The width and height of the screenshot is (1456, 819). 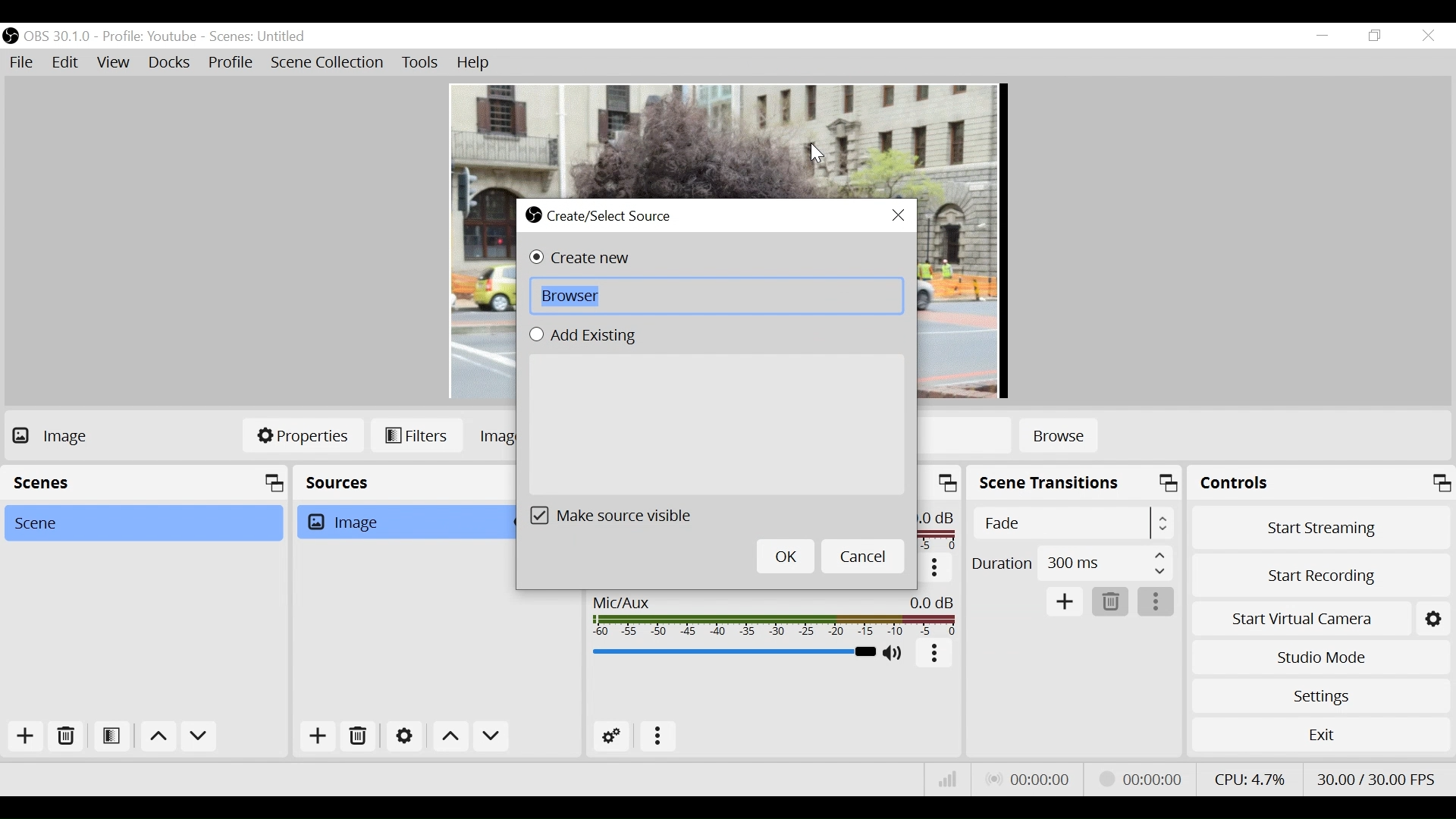 What do you see at coordinates (327, 65) in the screenshot?
I see `Scene Collection` at bounding box center [327, 65].